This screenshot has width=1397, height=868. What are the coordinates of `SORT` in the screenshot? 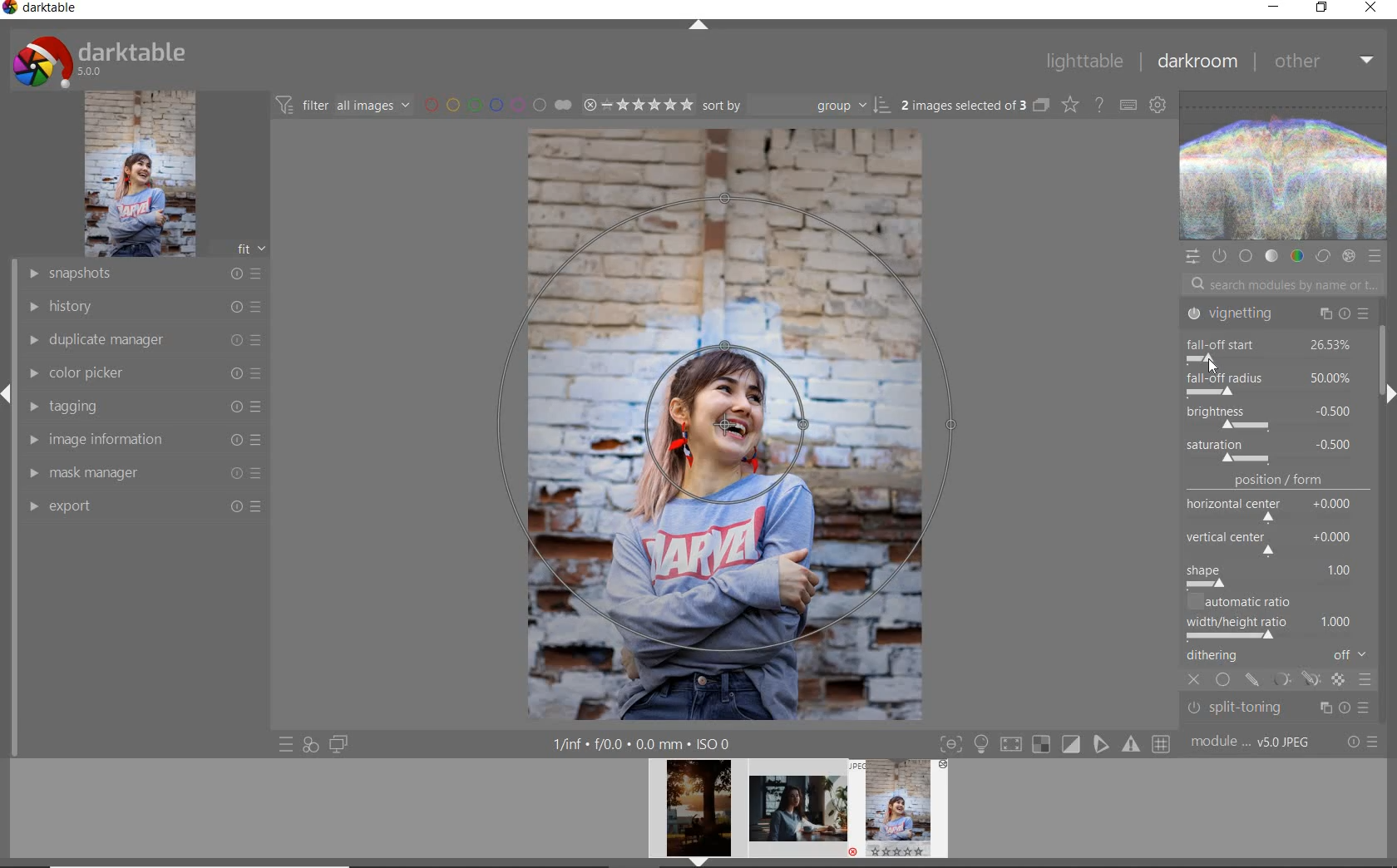 It's located at (797, 104).